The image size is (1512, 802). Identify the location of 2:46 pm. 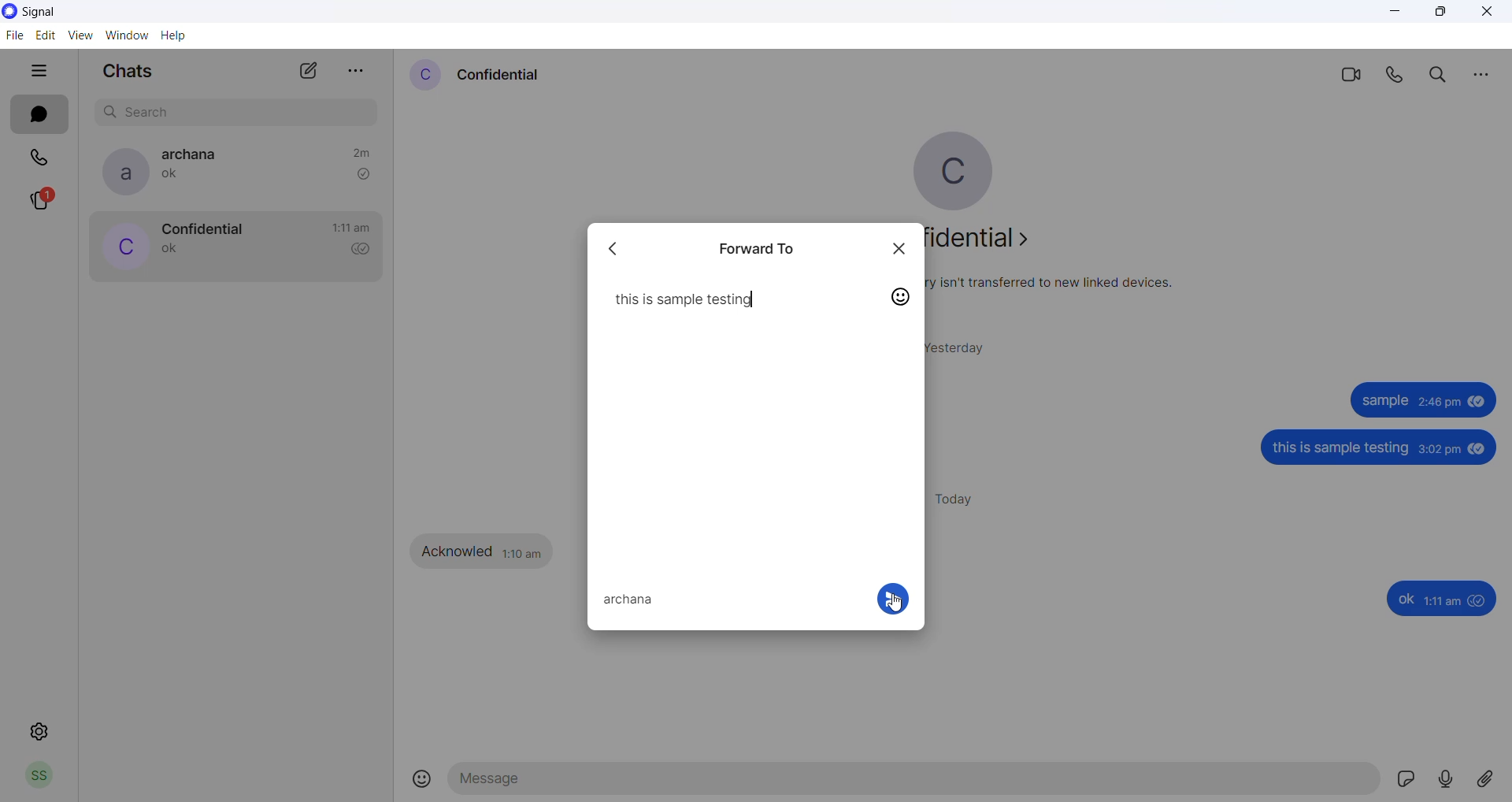
(1438, 404).